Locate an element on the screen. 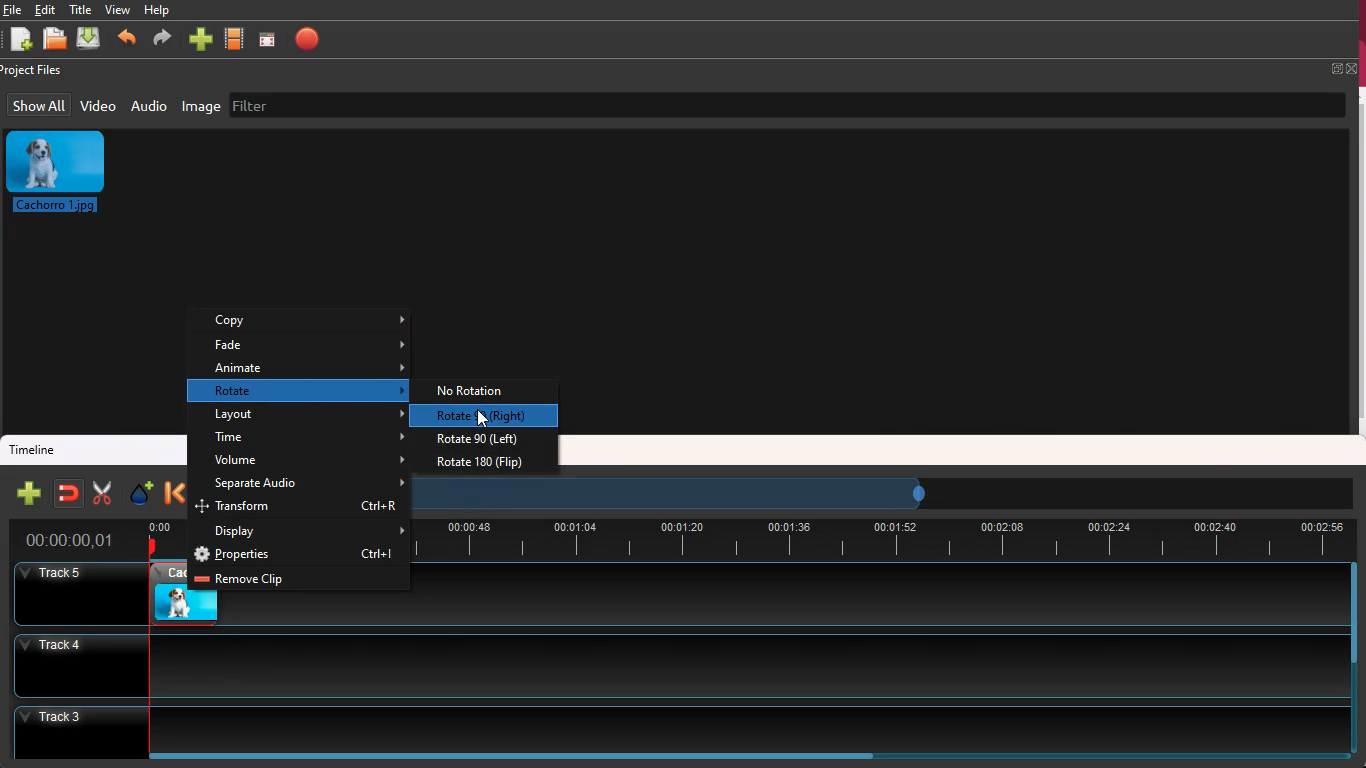  separate audio is located at coordinates (308, 485).